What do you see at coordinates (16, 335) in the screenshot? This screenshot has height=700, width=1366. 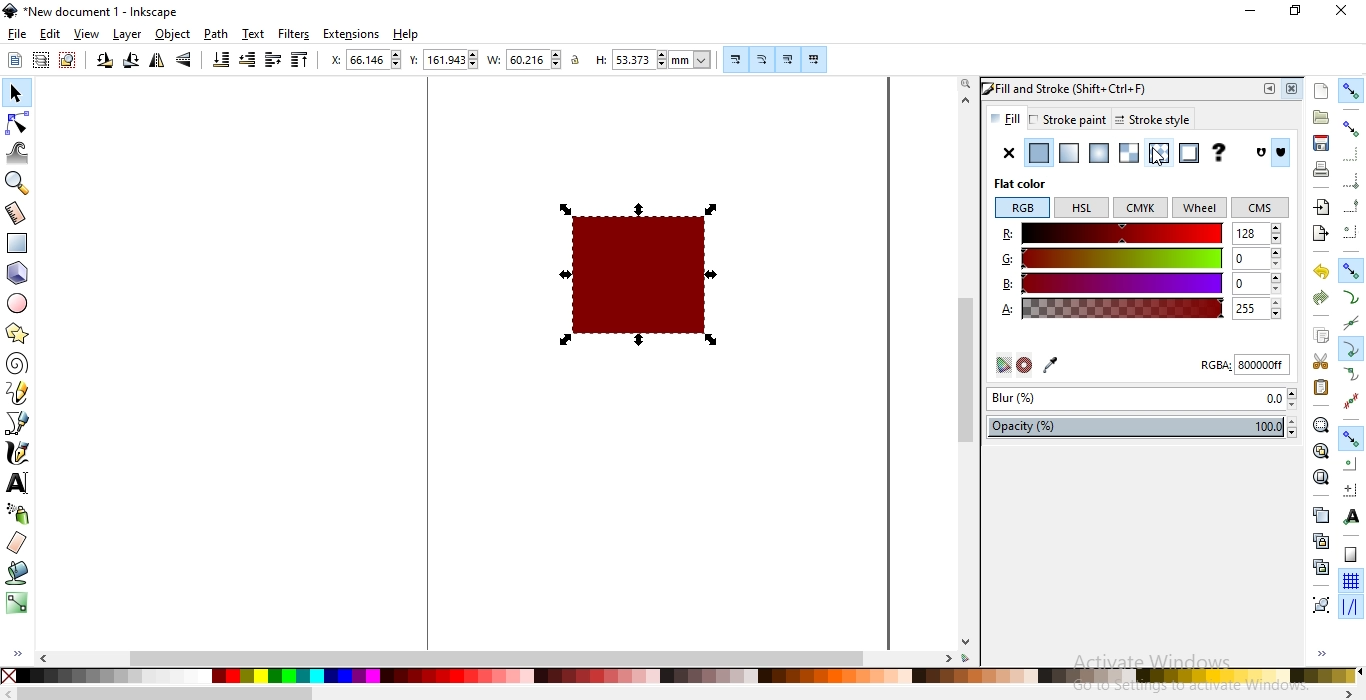 I see `create stars and polygons` at bounding box center [16, 335].